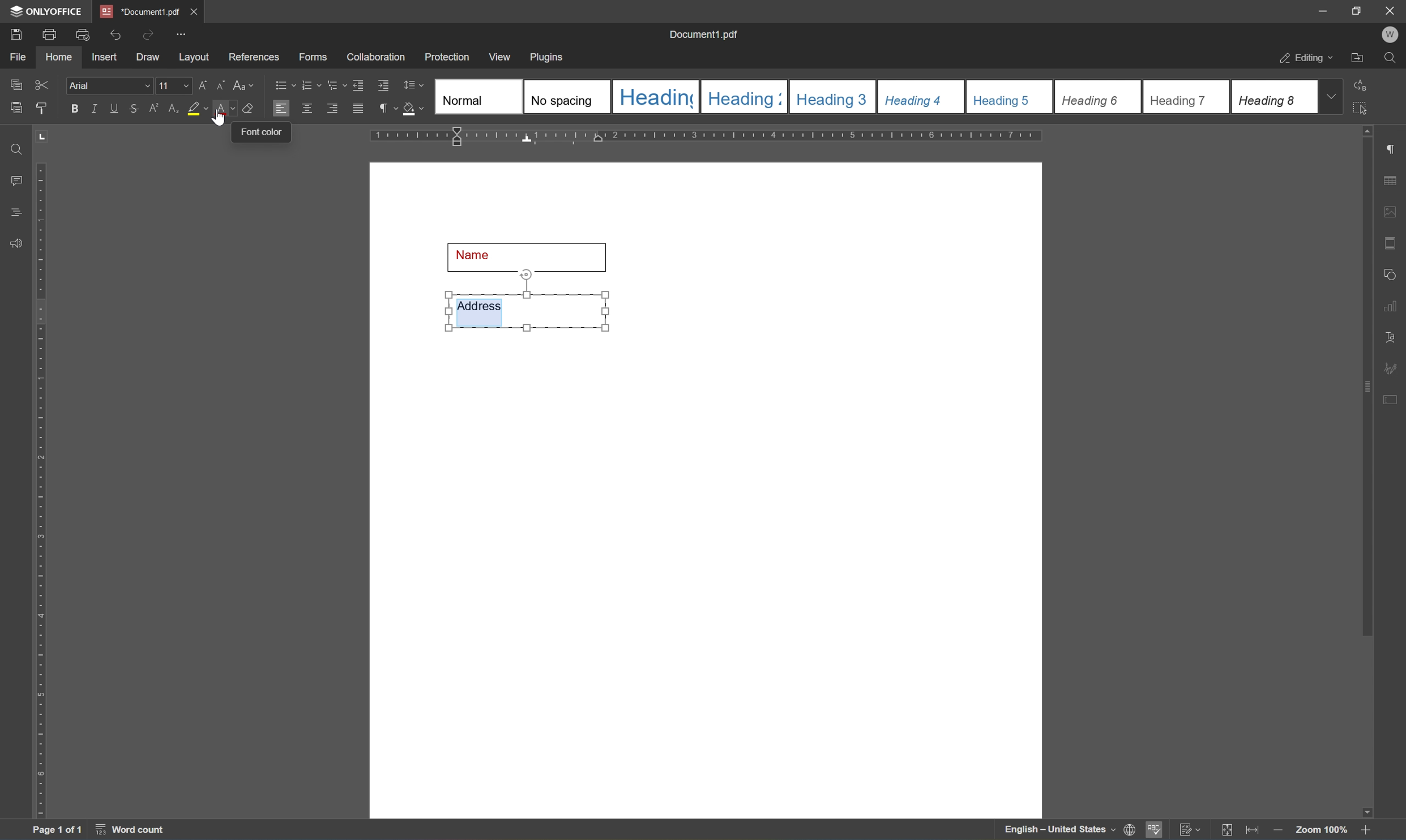 The height and width of the screenshot is (840, 1406). What do you see at coordinates (416, 85) in the screenshot?
I see `paragraph line spacing` at bounding box center [416, 85].